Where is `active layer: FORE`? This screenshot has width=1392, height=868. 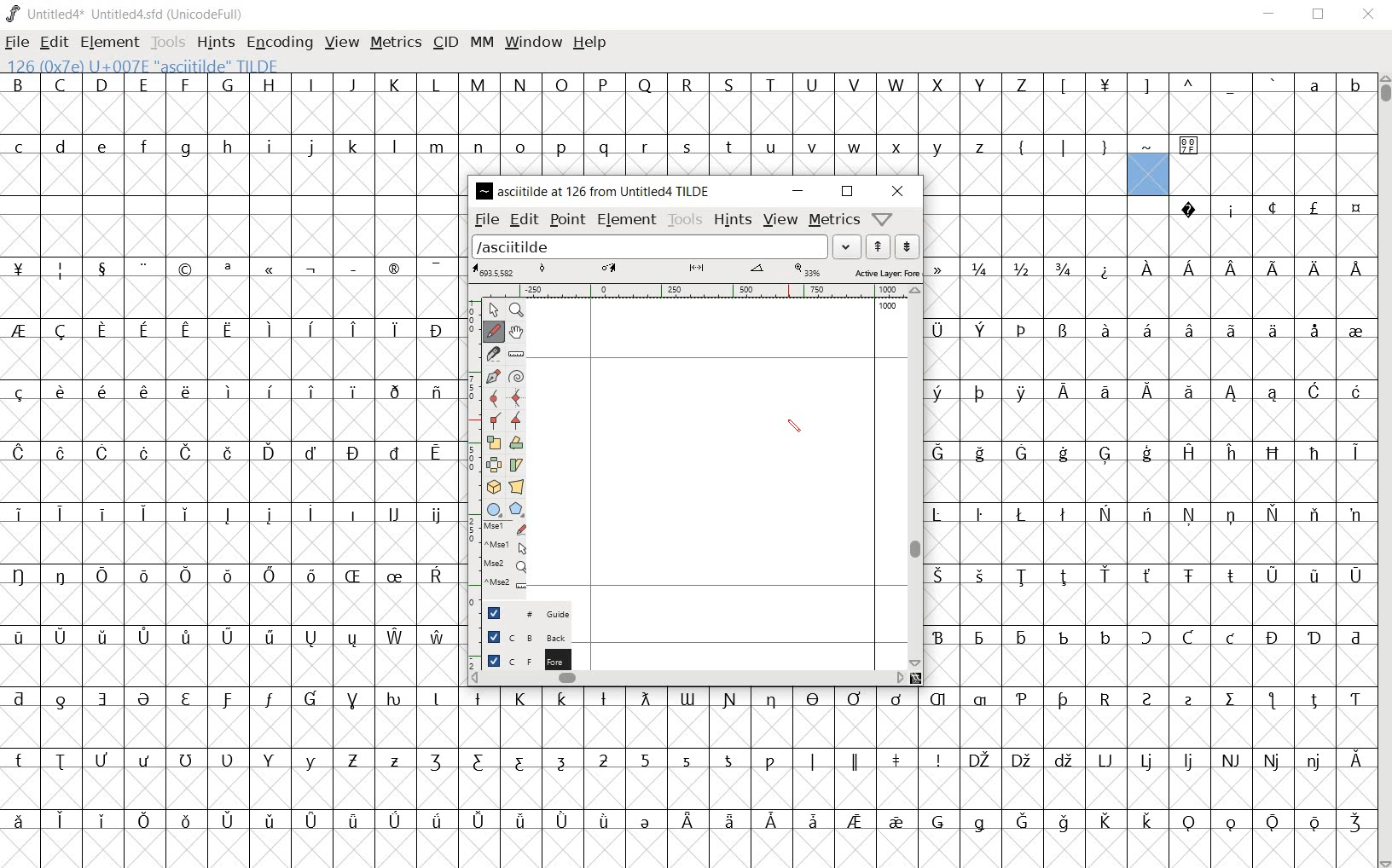
active layer: FORE is located at coordinates (694, 271).